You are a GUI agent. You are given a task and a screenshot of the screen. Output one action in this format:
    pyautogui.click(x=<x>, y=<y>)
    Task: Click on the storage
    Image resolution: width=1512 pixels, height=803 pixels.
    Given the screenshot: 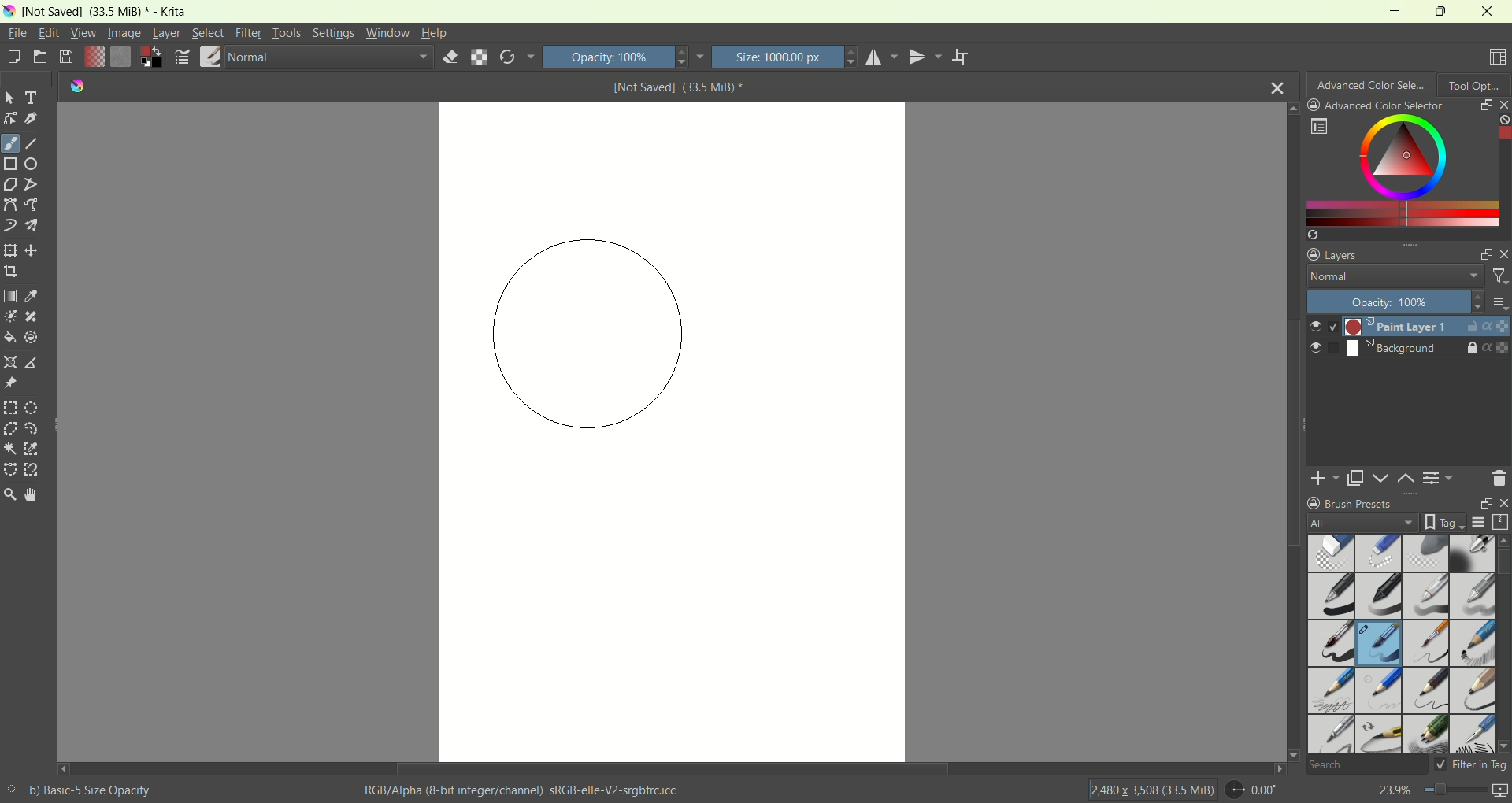 What is the action you would take?
    pyautogui.click(x=1503, y=522)
    